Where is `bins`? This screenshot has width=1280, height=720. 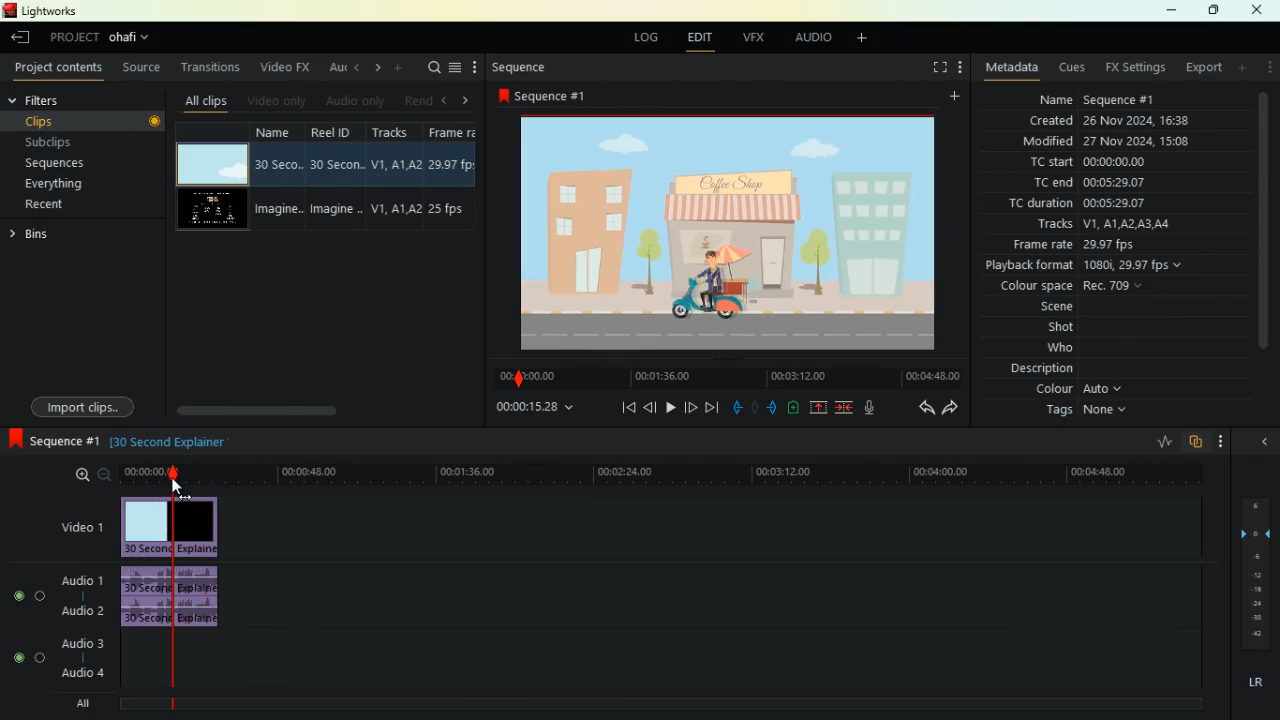
bins is located at coordinates (39, 236).